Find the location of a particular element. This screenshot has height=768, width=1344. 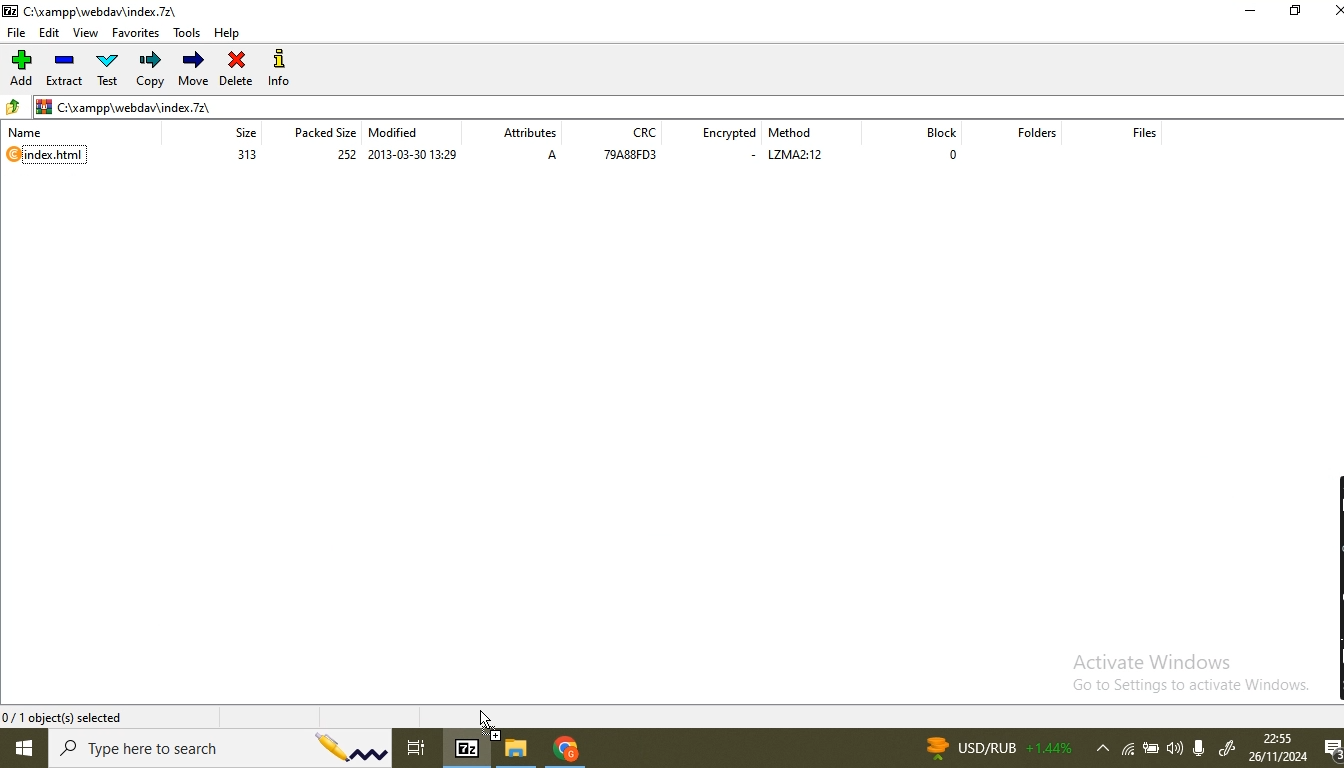

file is located at coordinates (20, 33).